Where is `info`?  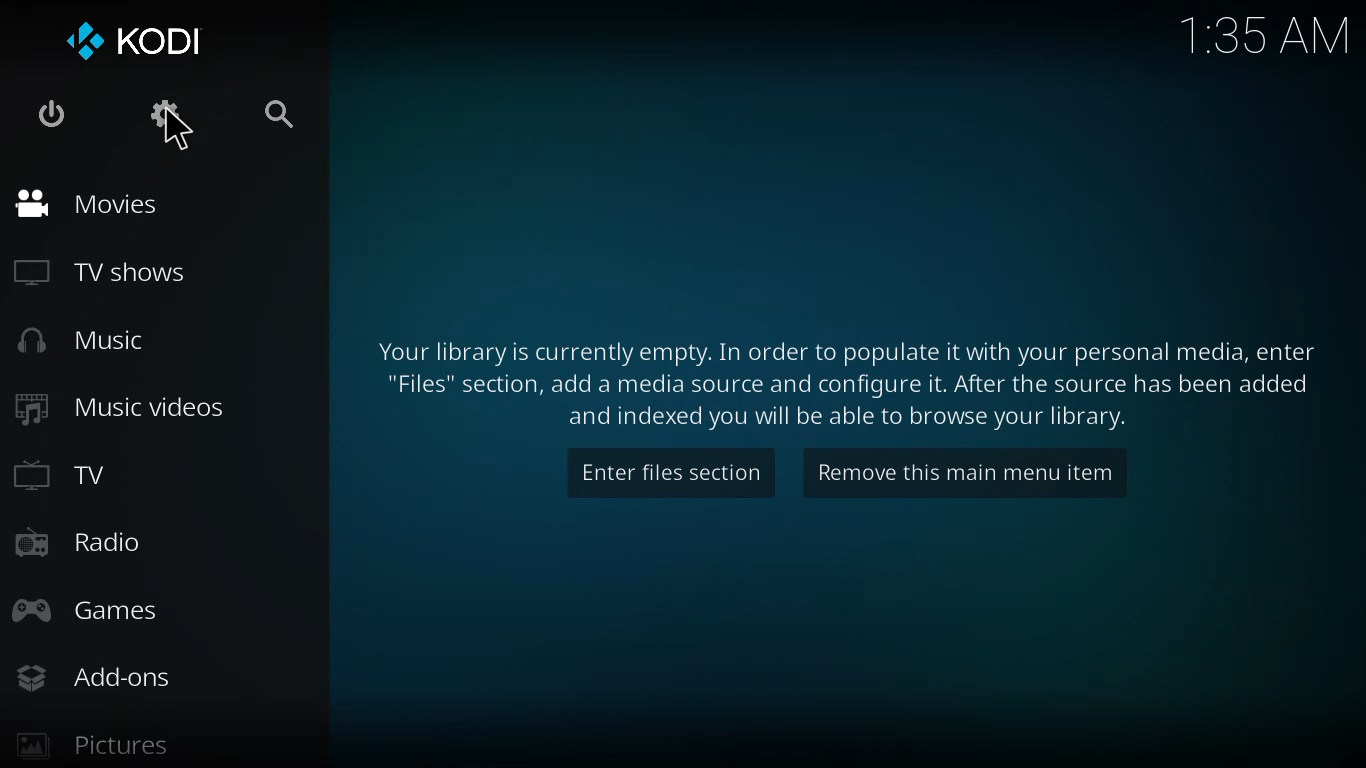
info is located at coordinates (845, 378).